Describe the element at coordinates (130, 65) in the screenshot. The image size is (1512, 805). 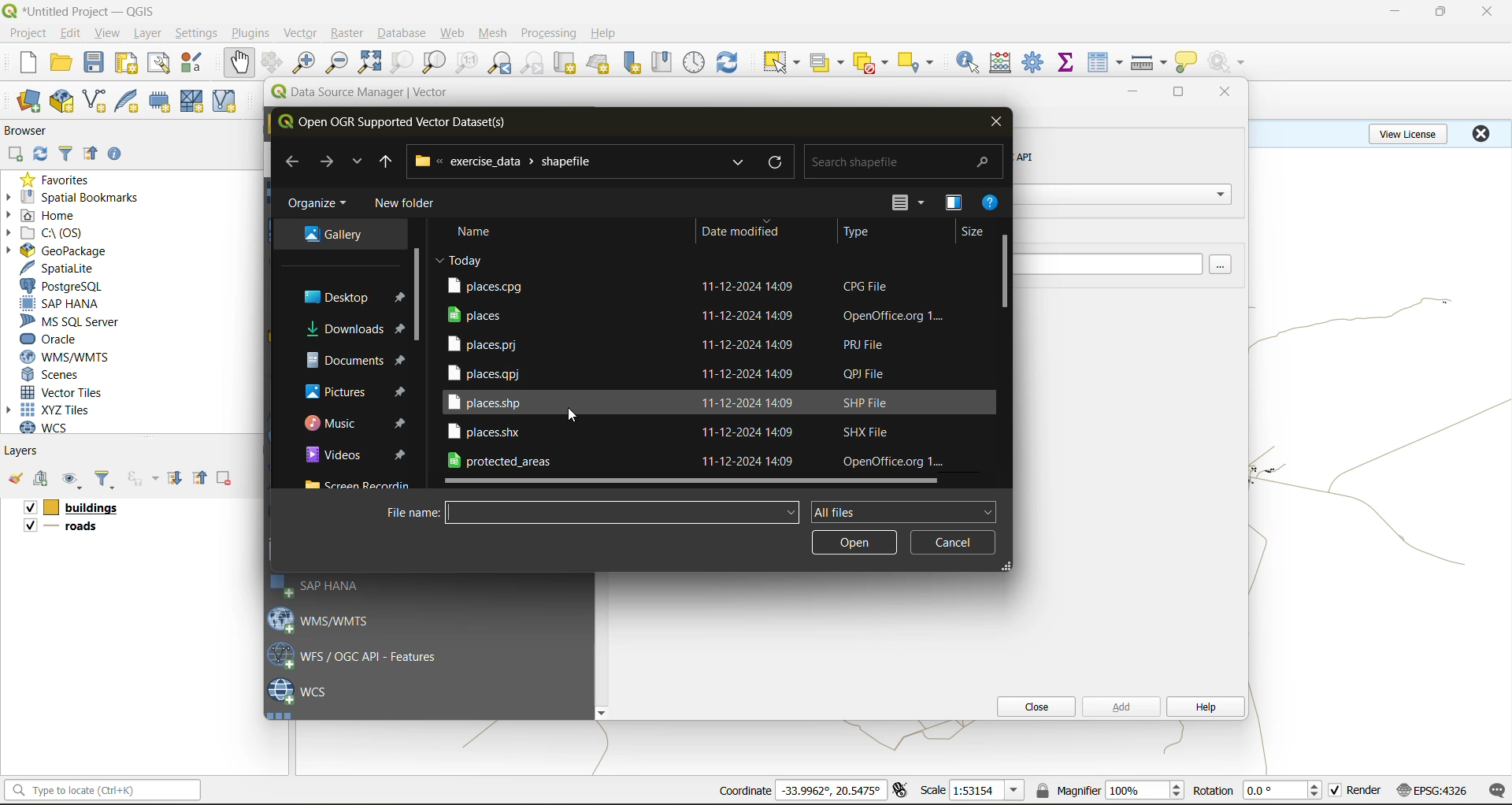
I see `print layout` at that location.